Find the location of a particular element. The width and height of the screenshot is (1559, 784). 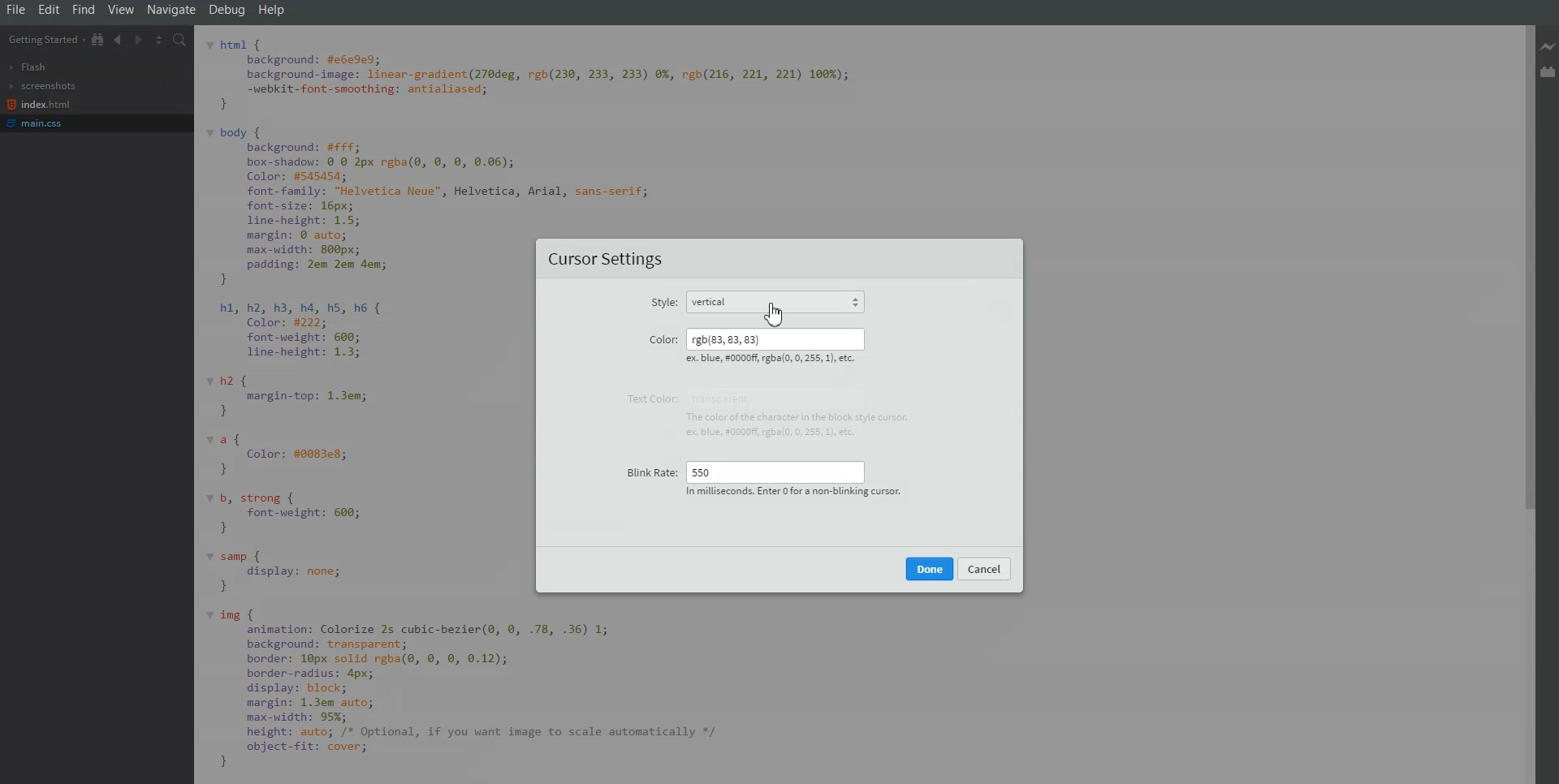

main.css is located at coordinates (40, 123).